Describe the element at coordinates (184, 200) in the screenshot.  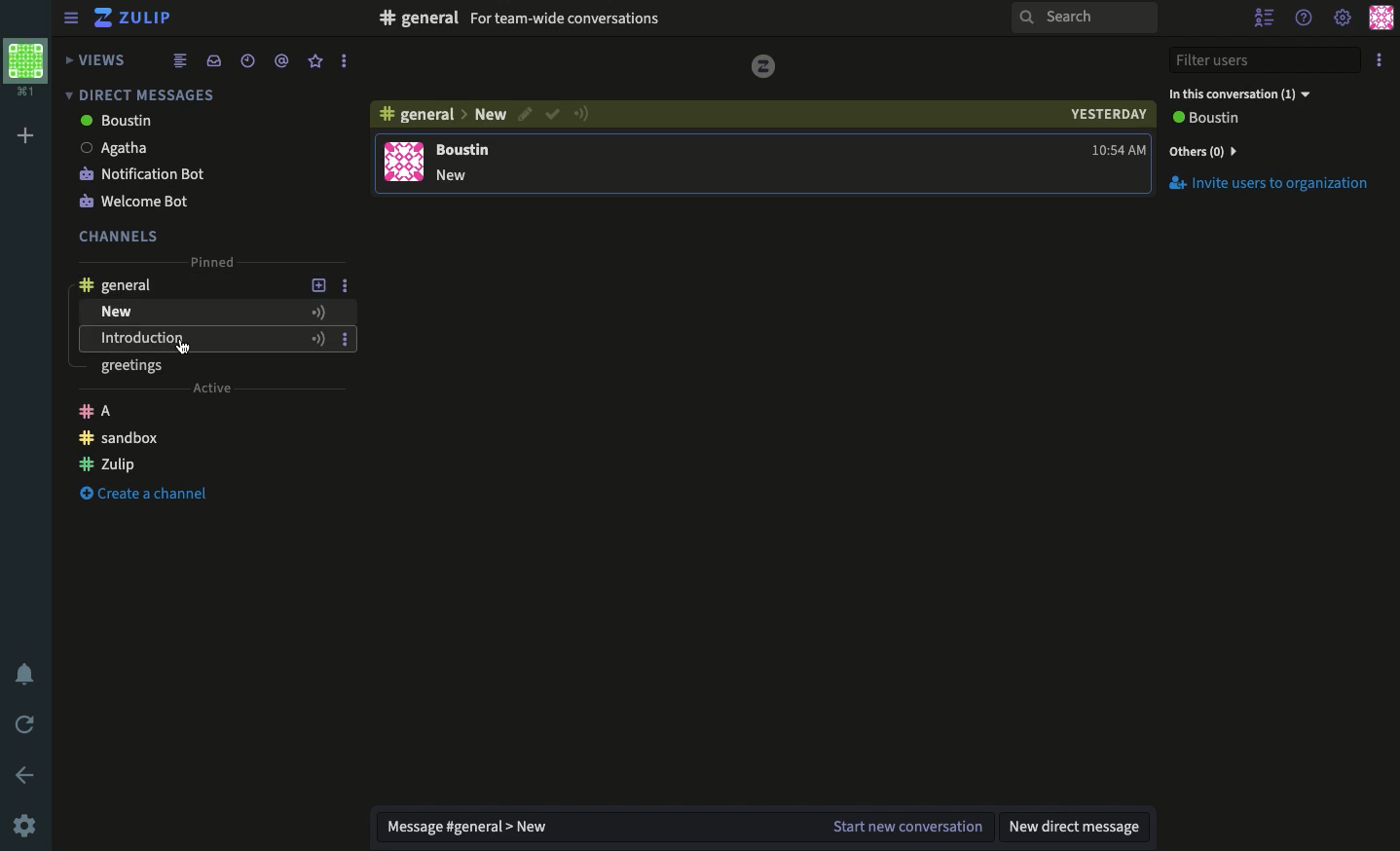
I see `Welcome bot` at that location.